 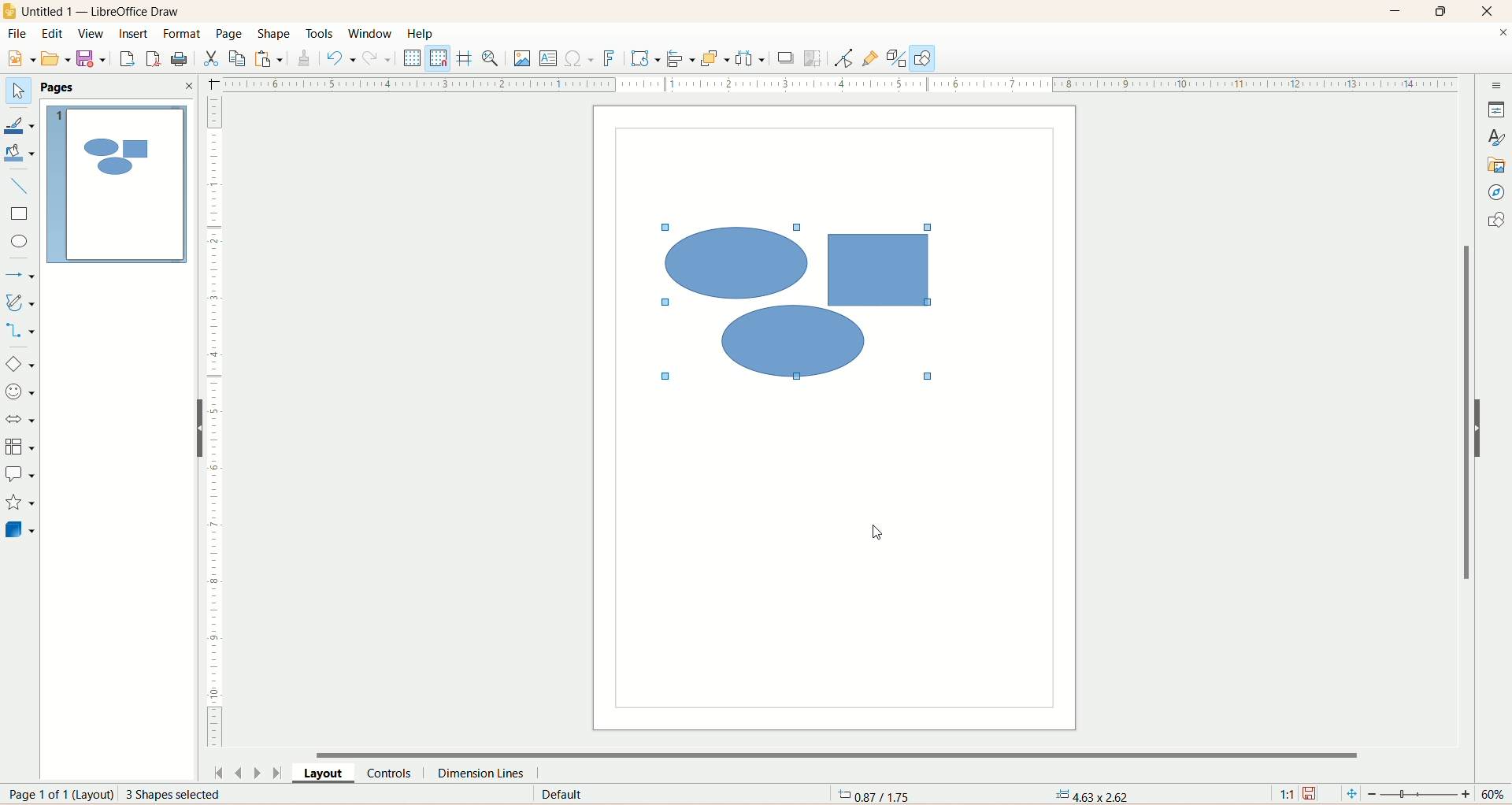 What do you see at coordinates (1313, 794) in the screenshot?
I see `save` at bounding box center [1313, 794].